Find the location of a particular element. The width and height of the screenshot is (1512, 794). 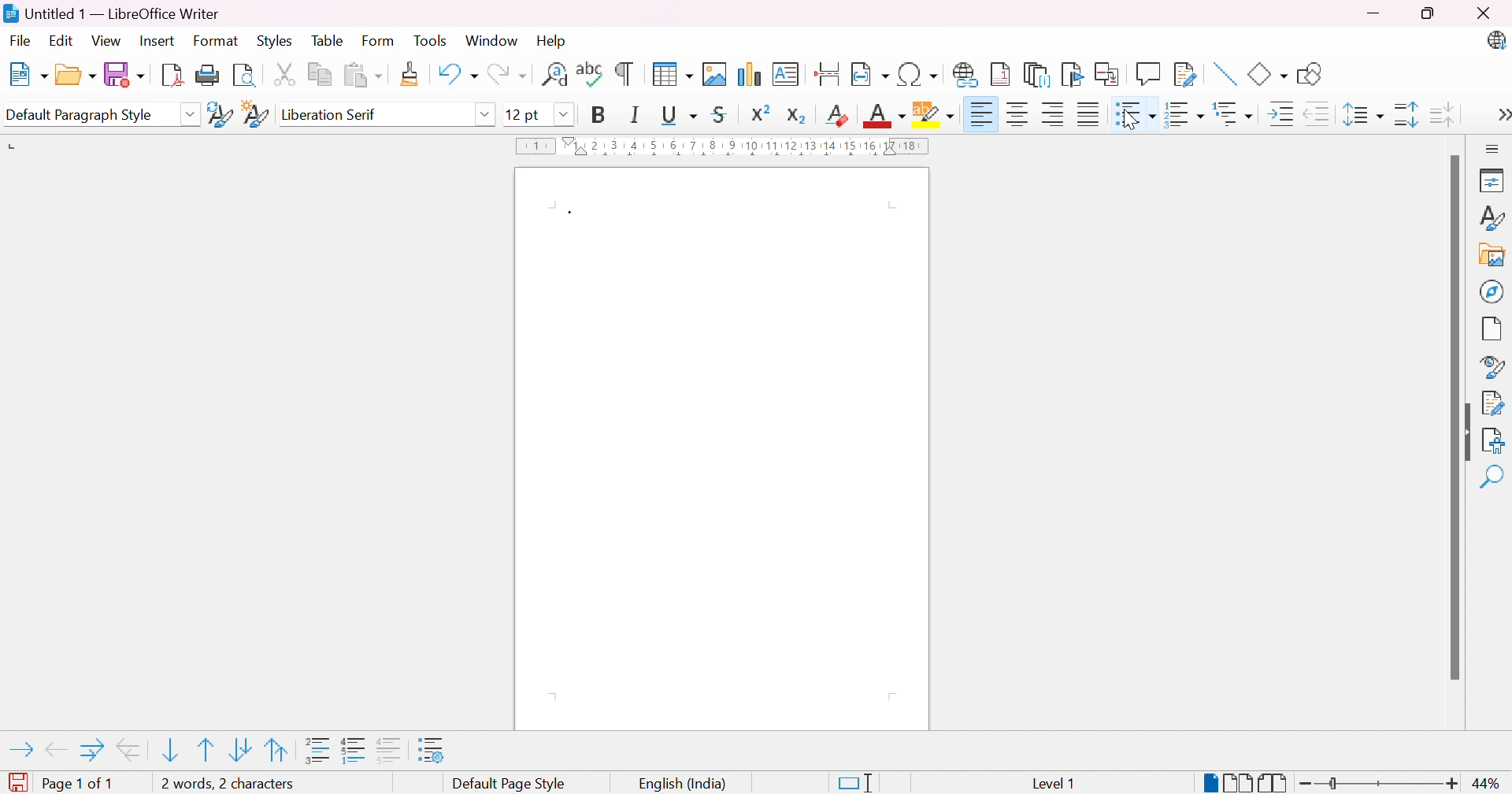

Strikethrough is located at coordinates (718, 117).